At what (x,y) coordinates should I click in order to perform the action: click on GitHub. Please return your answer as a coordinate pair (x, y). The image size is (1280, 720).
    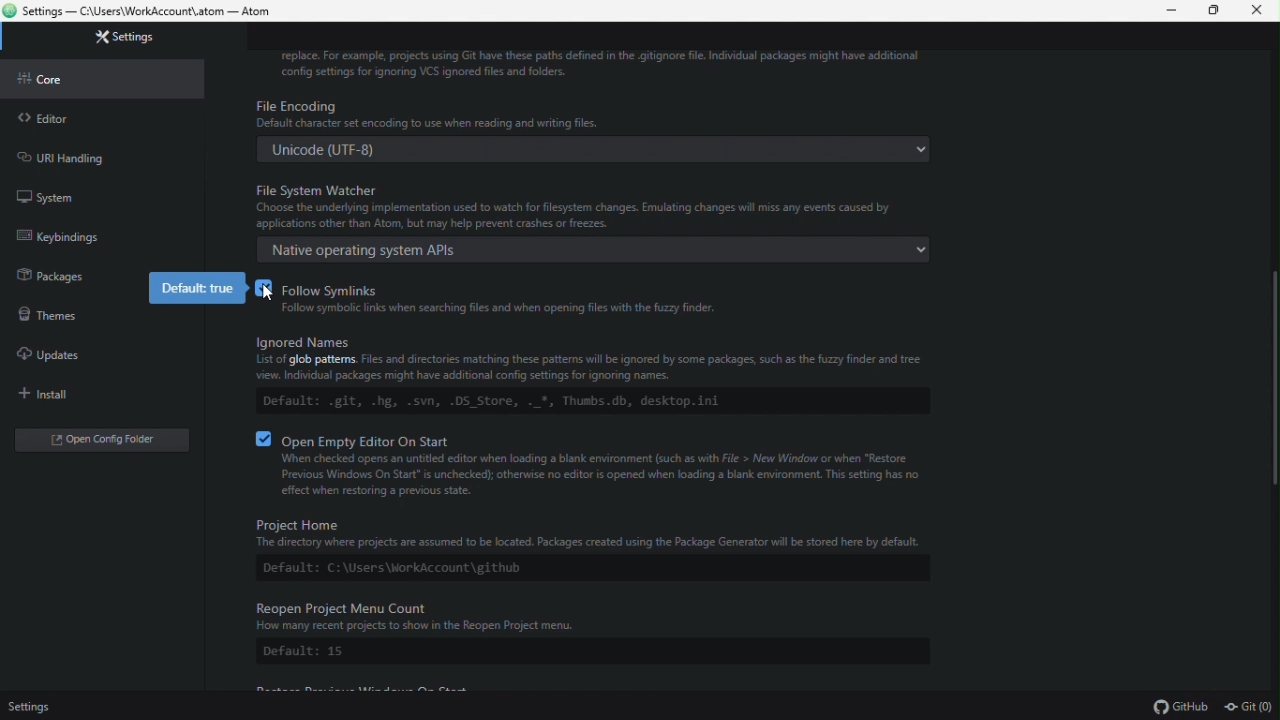
    Looking at the image, I should click on (1179, 708).